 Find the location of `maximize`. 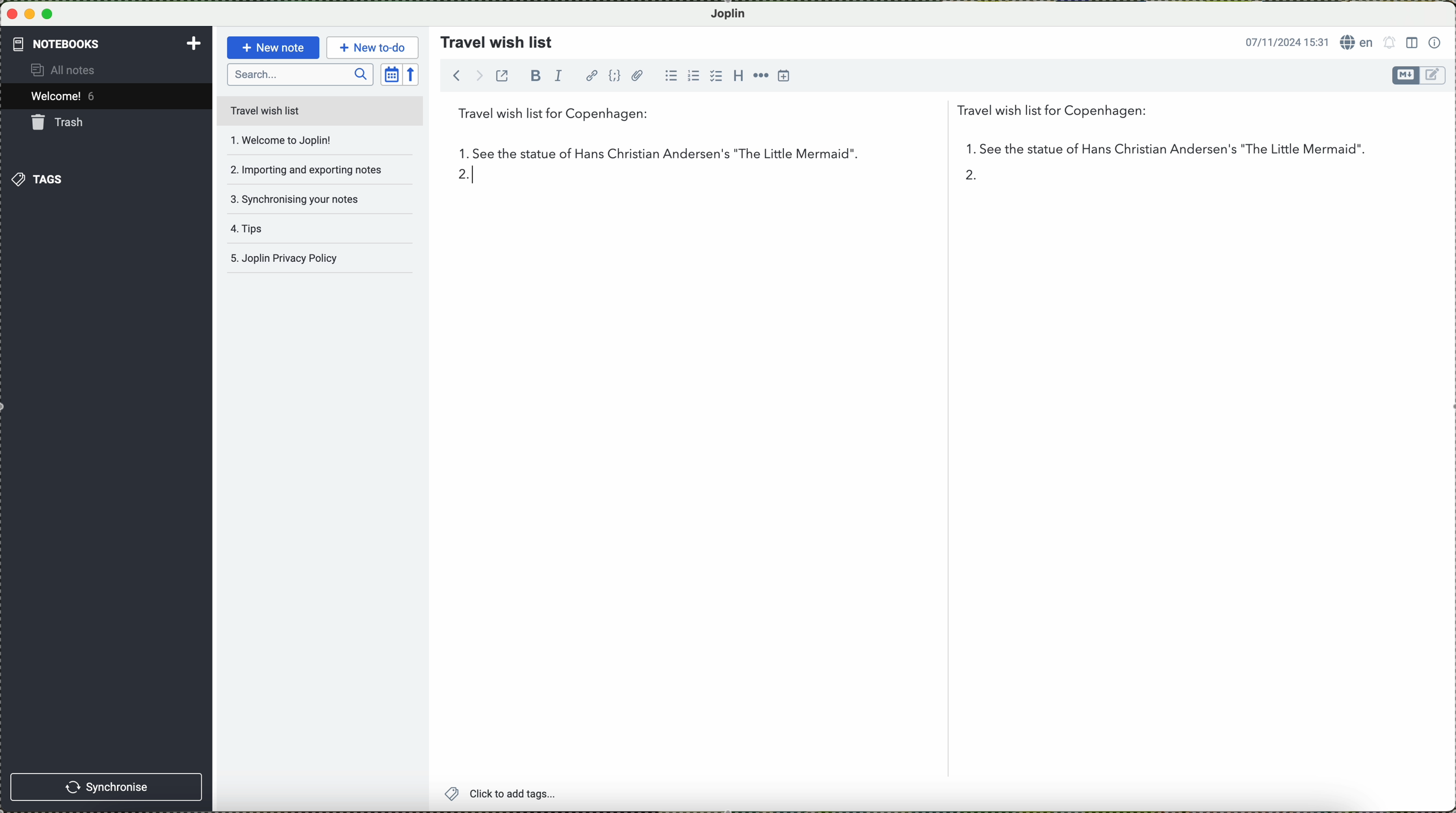

maximize is located at coordinates (50, 14).